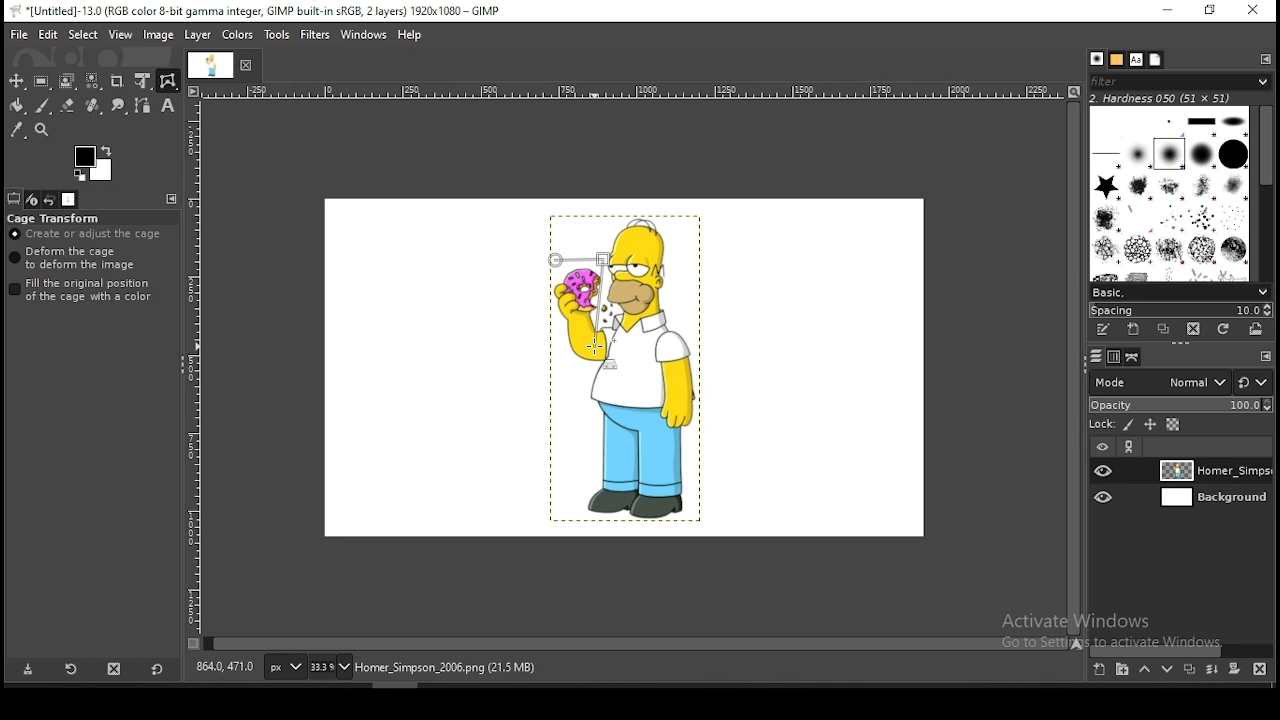 This screenshot has height=720, width=1280. What do you see at coordinates (1253, 382) in the screenshot?
I see `rest` at bounding box center [1253, 382].